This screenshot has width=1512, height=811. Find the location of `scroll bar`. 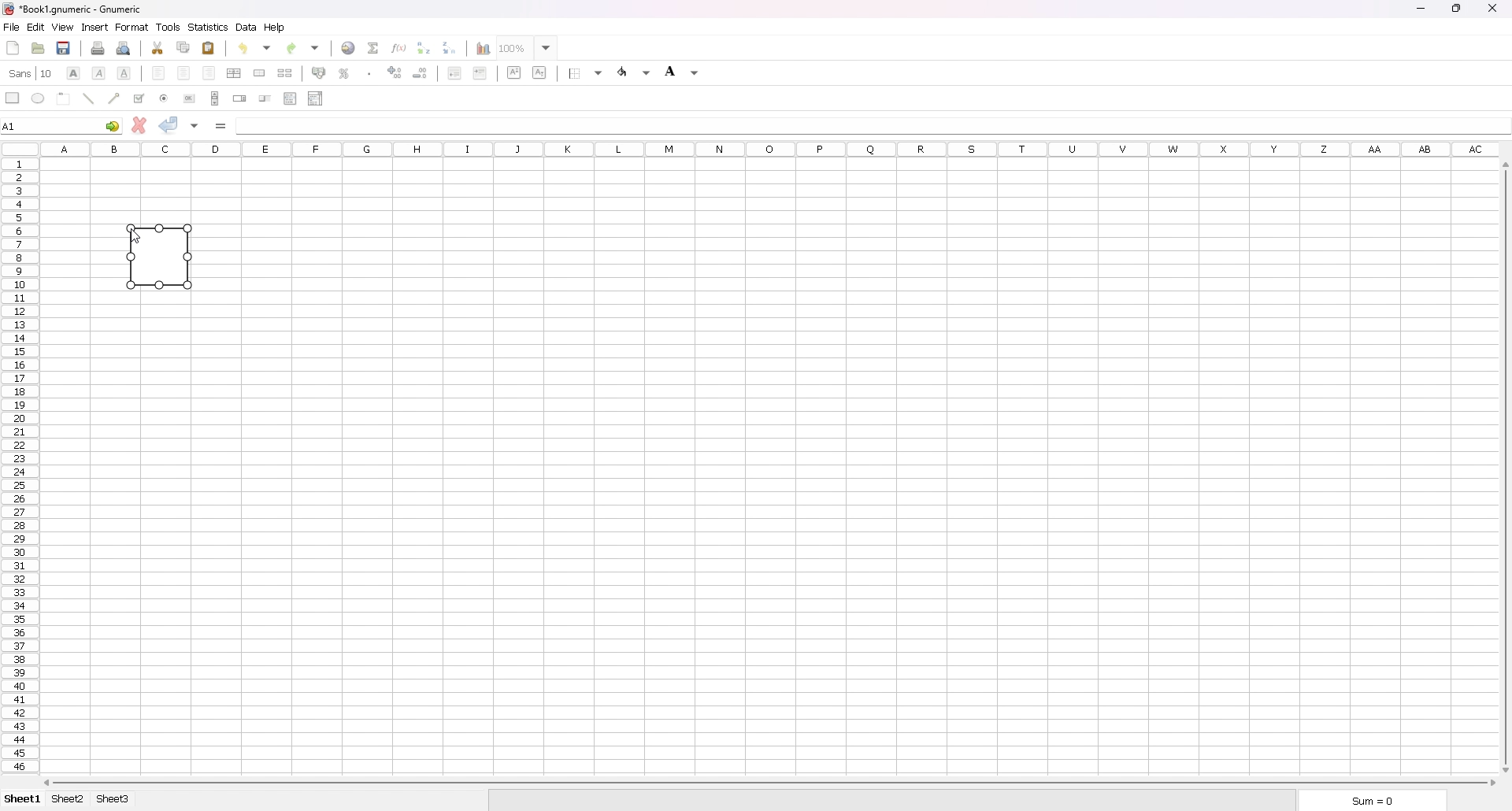

scroll bar is located at coordinates (216, 97).